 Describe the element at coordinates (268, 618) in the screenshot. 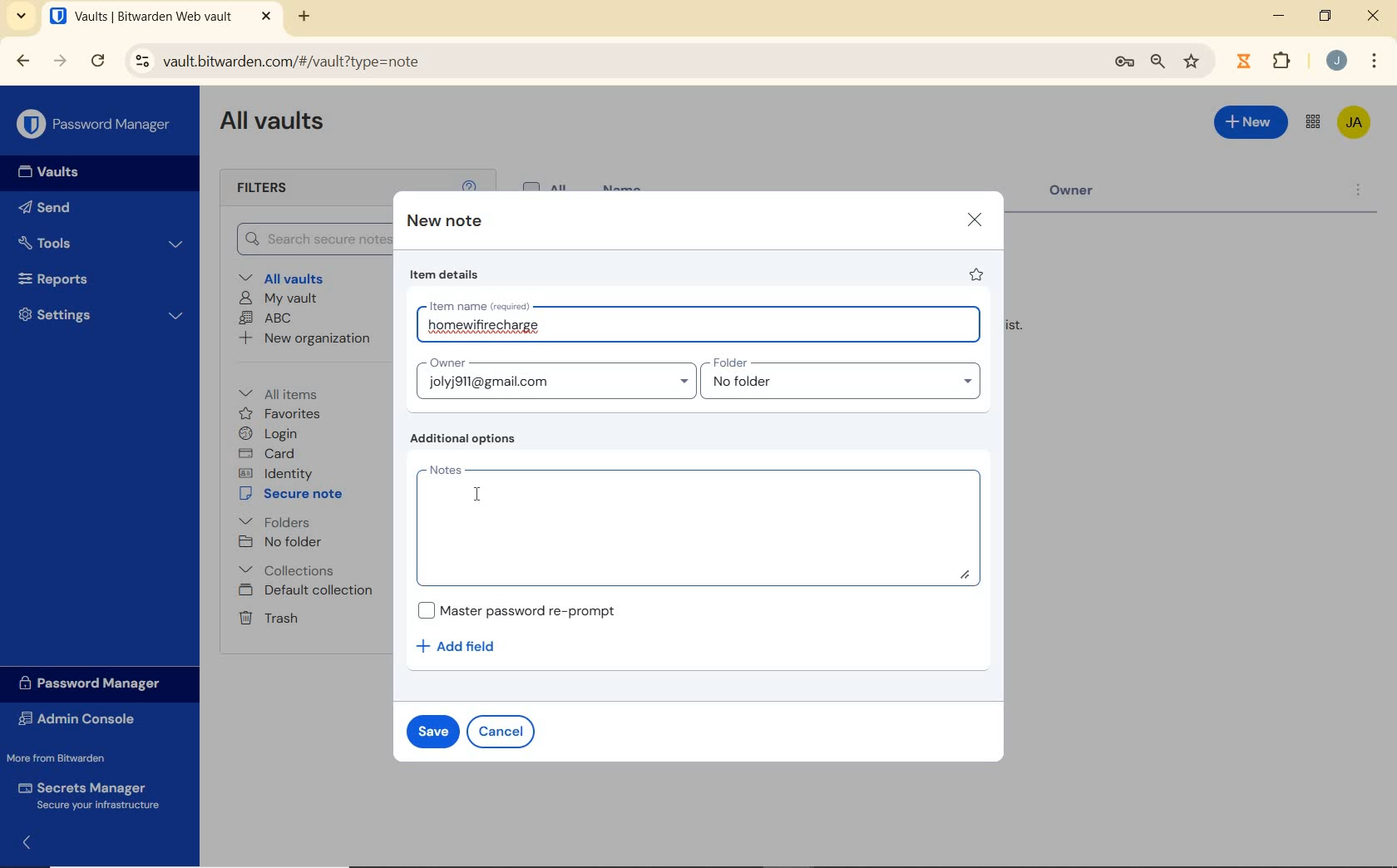

I see `Trash` at that location.